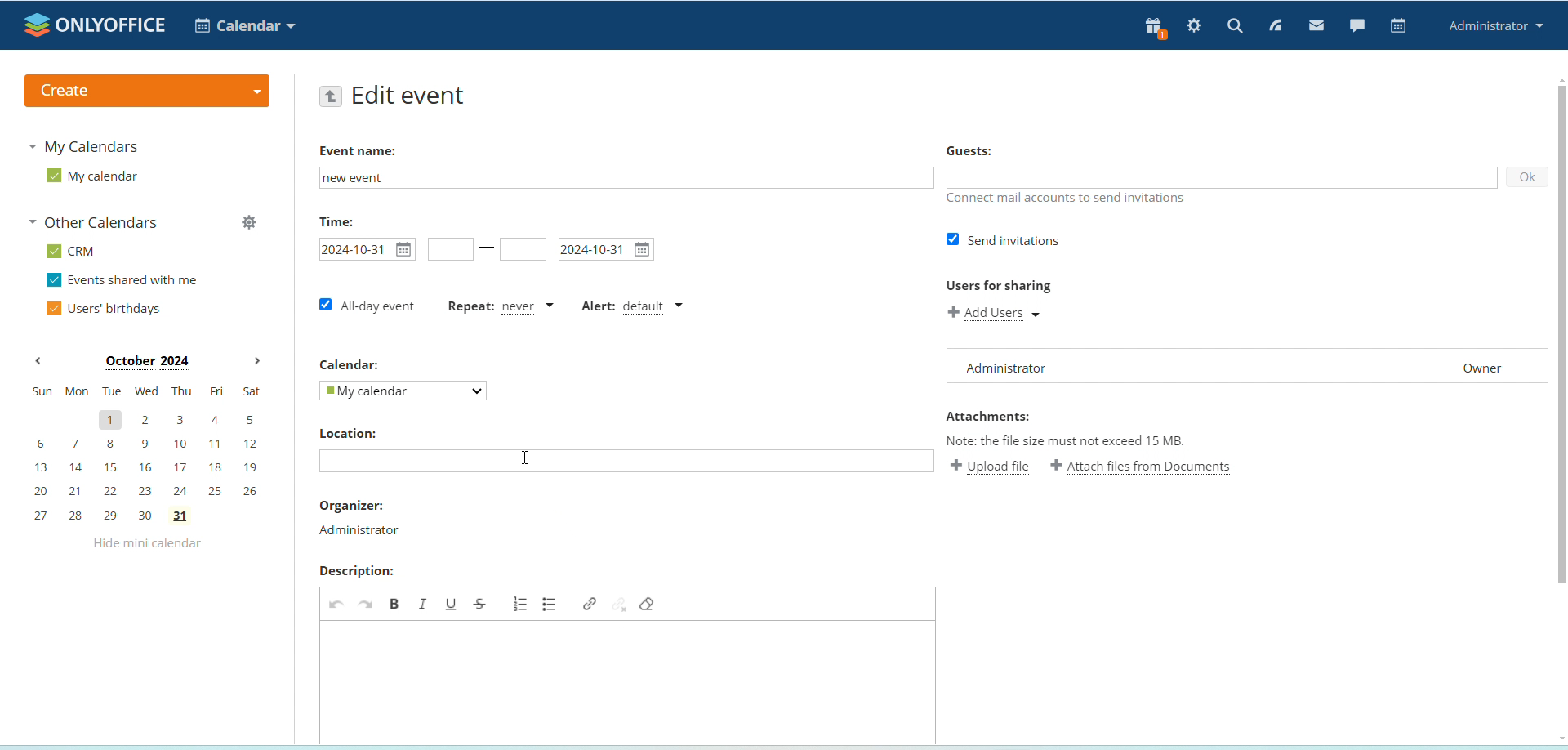 The width and height of the screenshot is (1568, 750). I want to click on connect mail accounts, so click(1012, 199).